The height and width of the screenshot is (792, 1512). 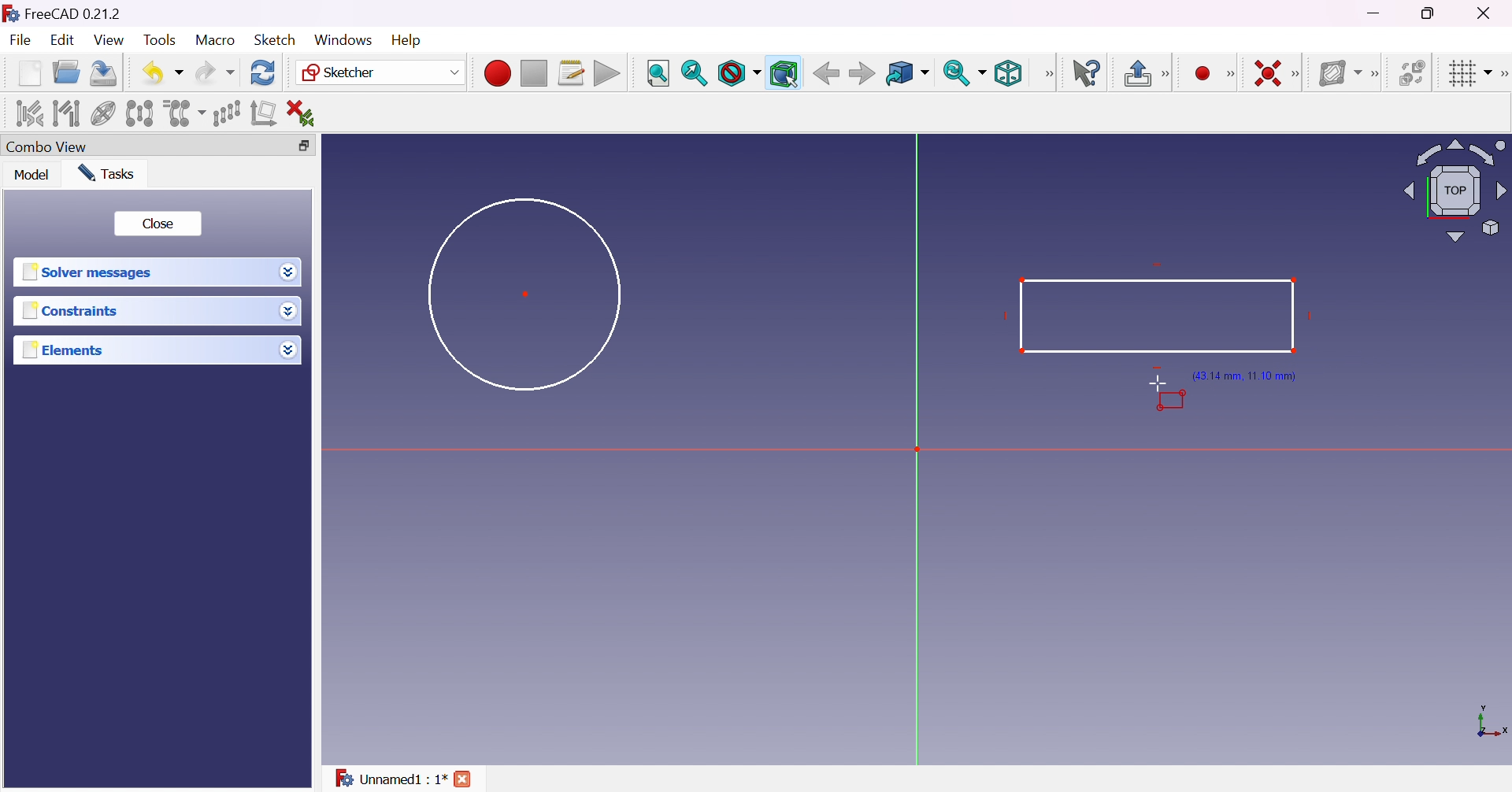 What do you see at coordinates (378, 72) in the screenshot?
I see `Sketcher` at bounding box center [378, 72].